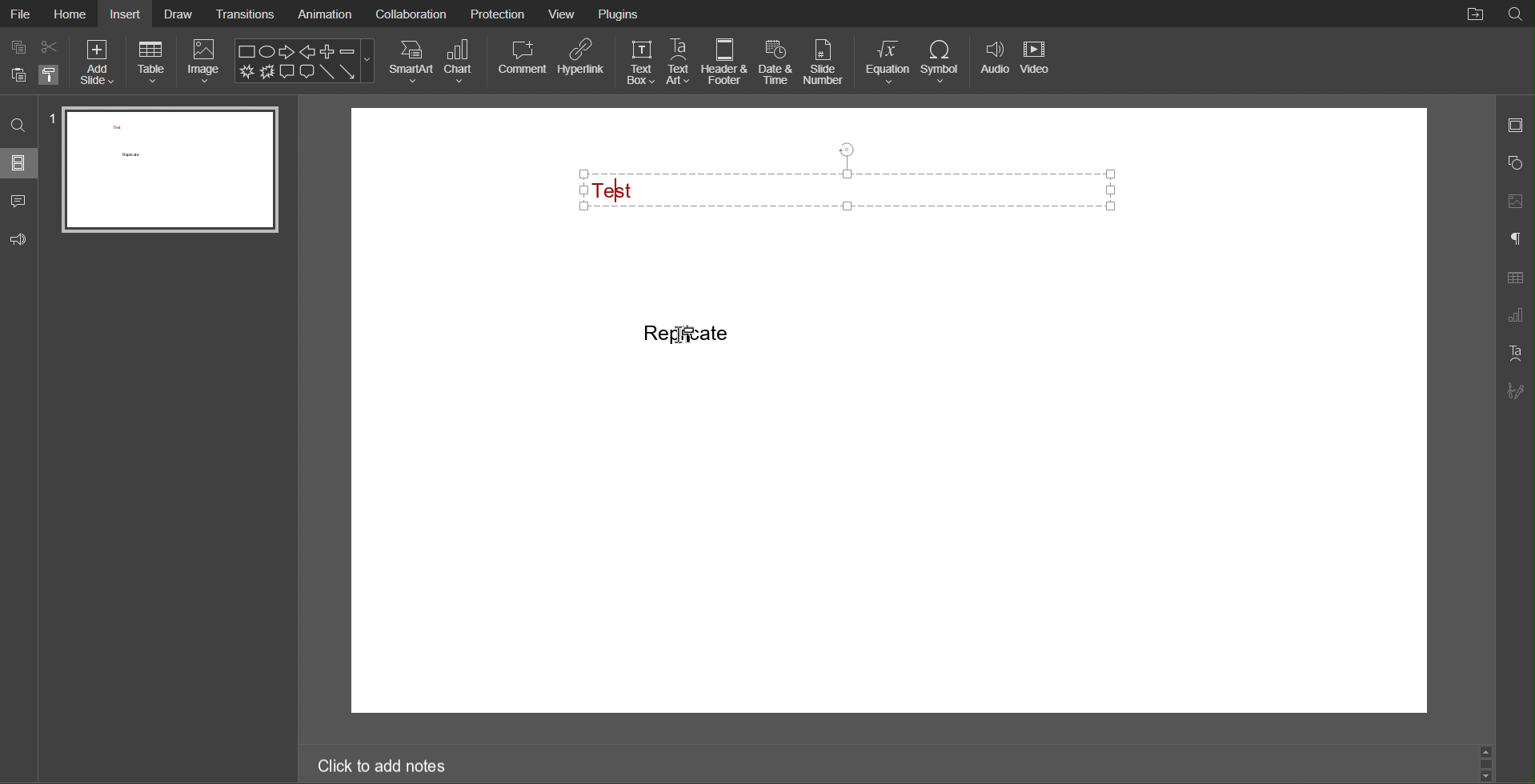  Describe the element at coordinates (943, 62) in the screenshot. I see `Symbol` at that location.